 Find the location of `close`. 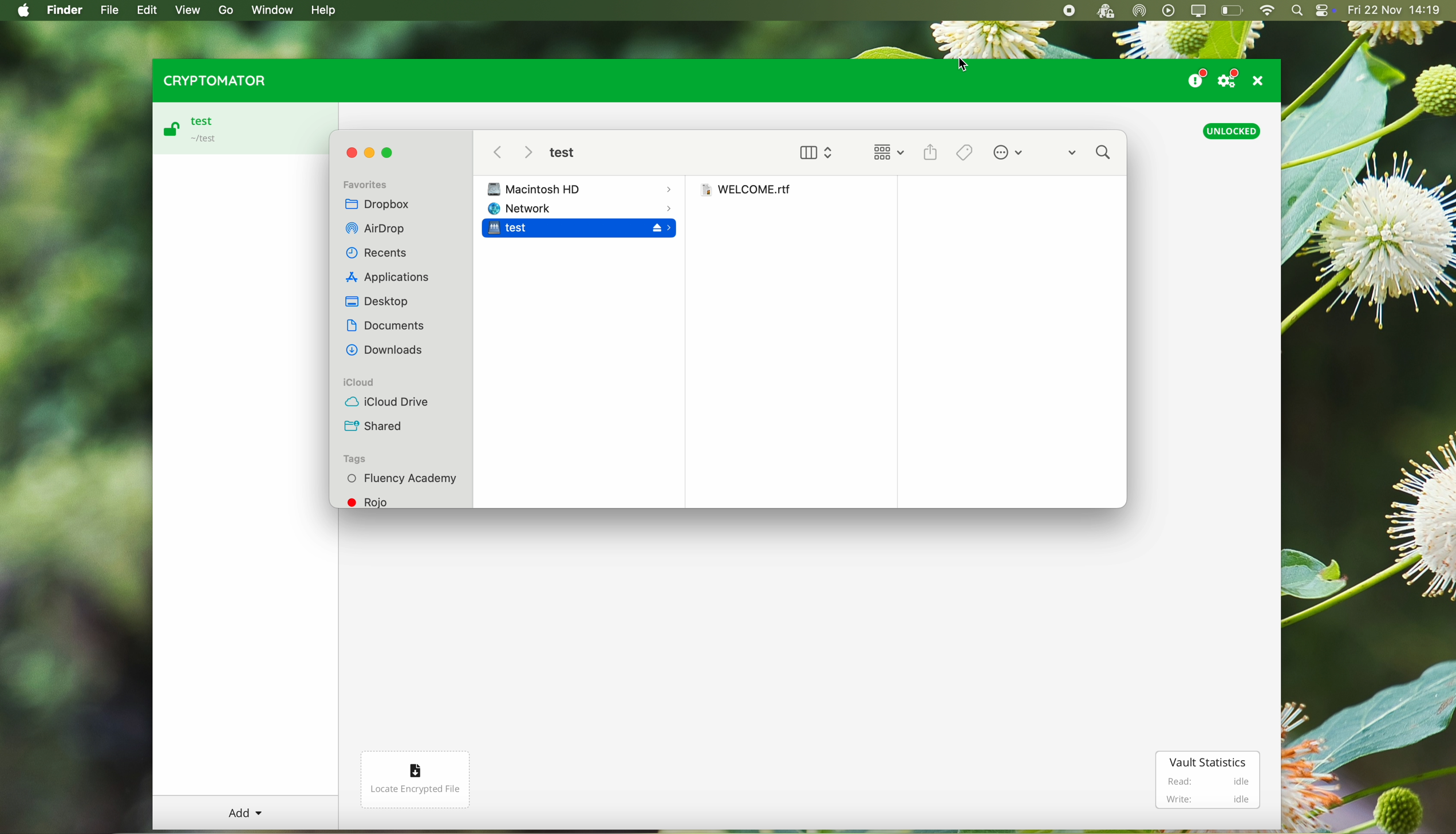

close is located at coordinates (352, 152).